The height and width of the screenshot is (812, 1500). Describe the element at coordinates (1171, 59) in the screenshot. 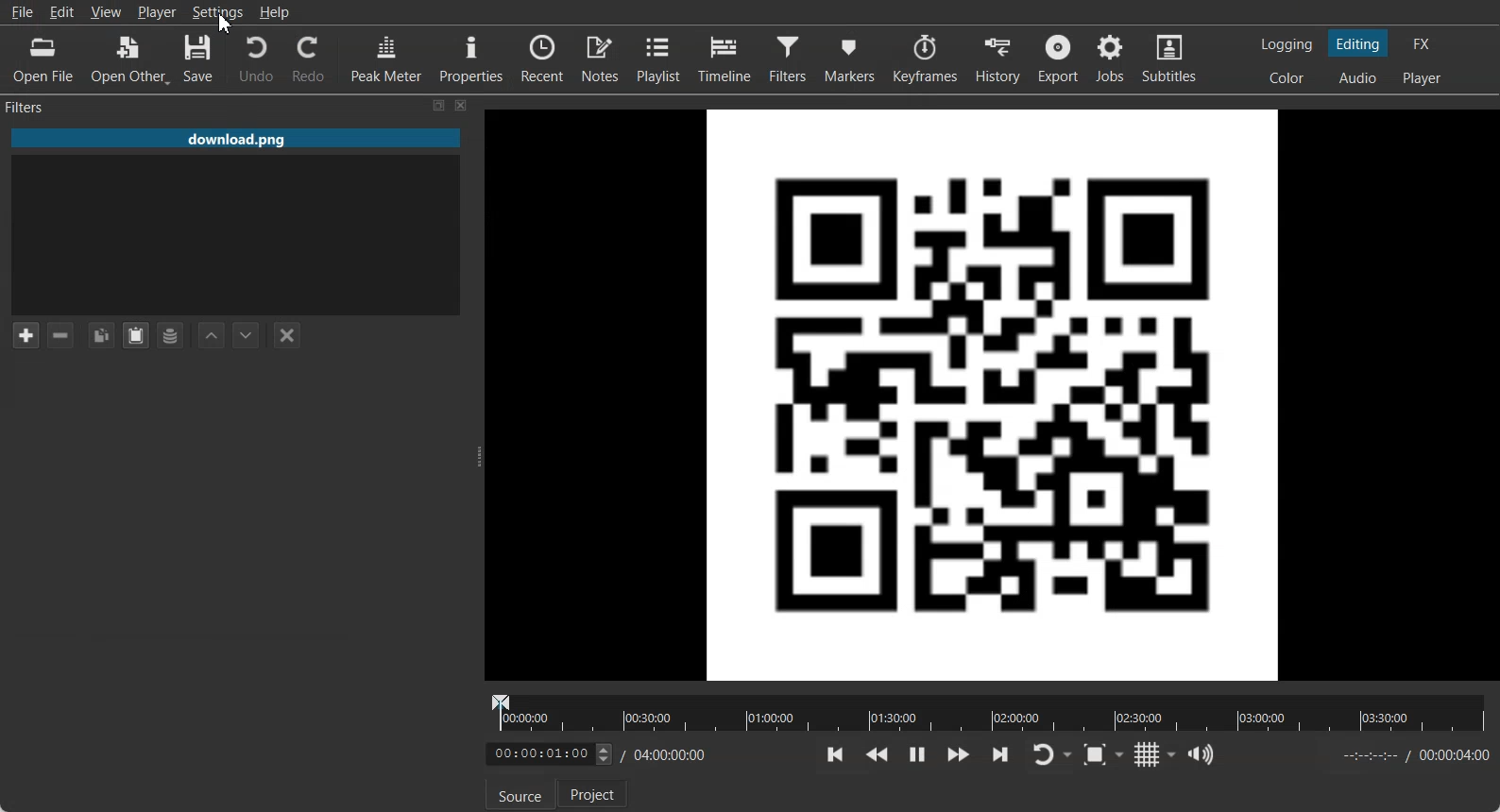

I see `Subtitles` at that location.